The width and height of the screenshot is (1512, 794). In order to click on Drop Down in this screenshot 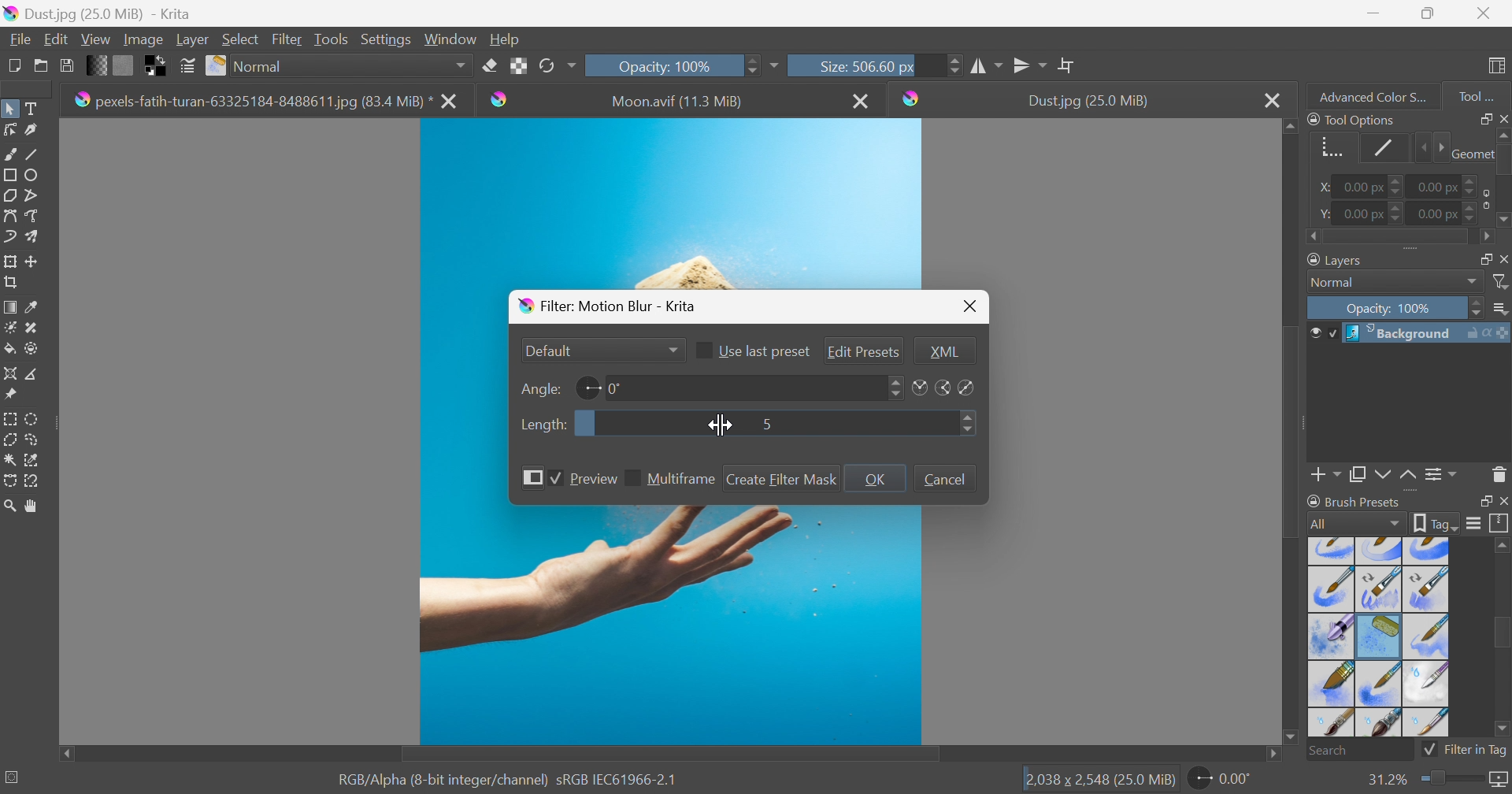, I will do `click(672, 351)`.